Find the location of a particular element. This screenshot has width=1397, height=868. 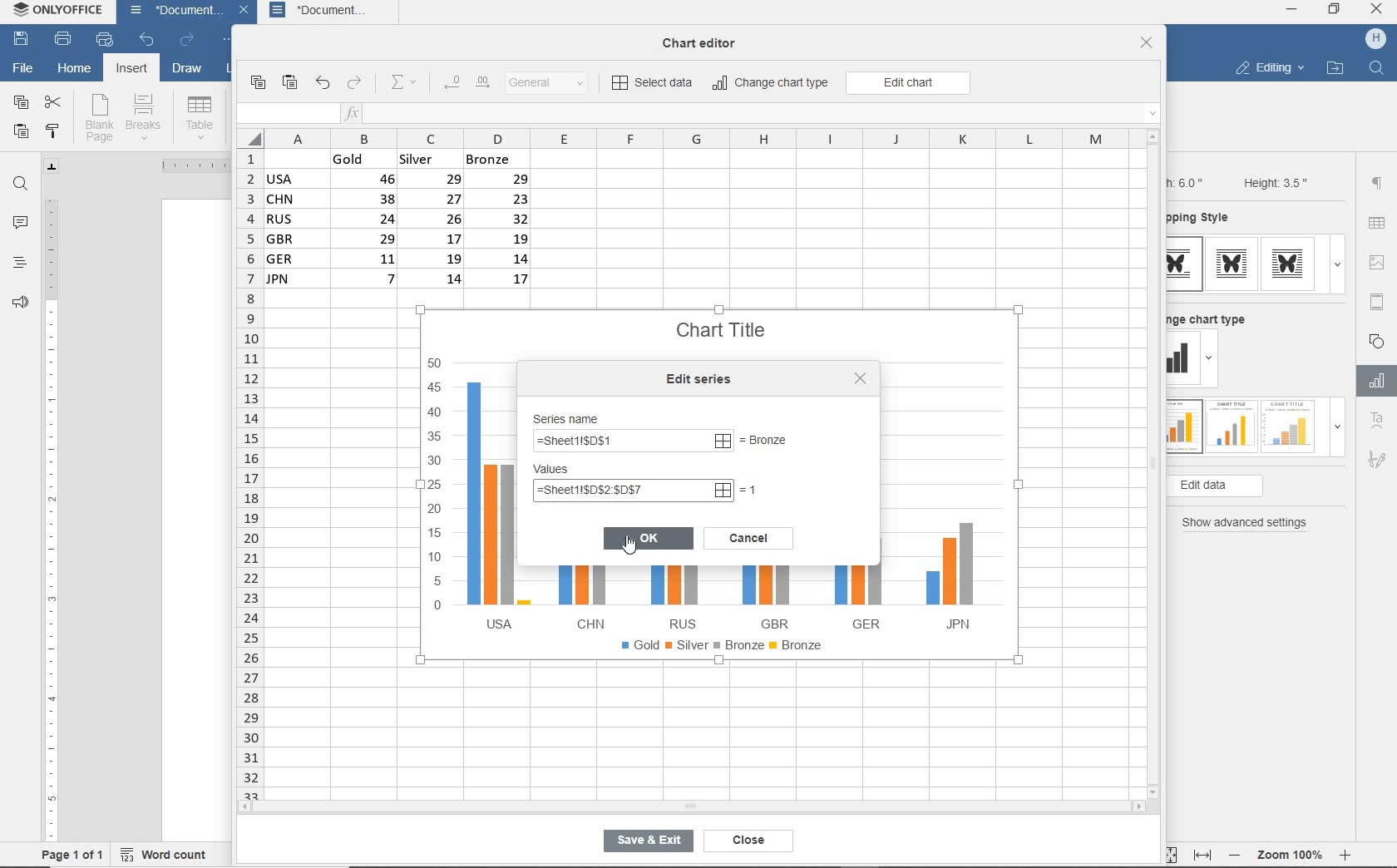

insert is located at coordinates (130, 70).